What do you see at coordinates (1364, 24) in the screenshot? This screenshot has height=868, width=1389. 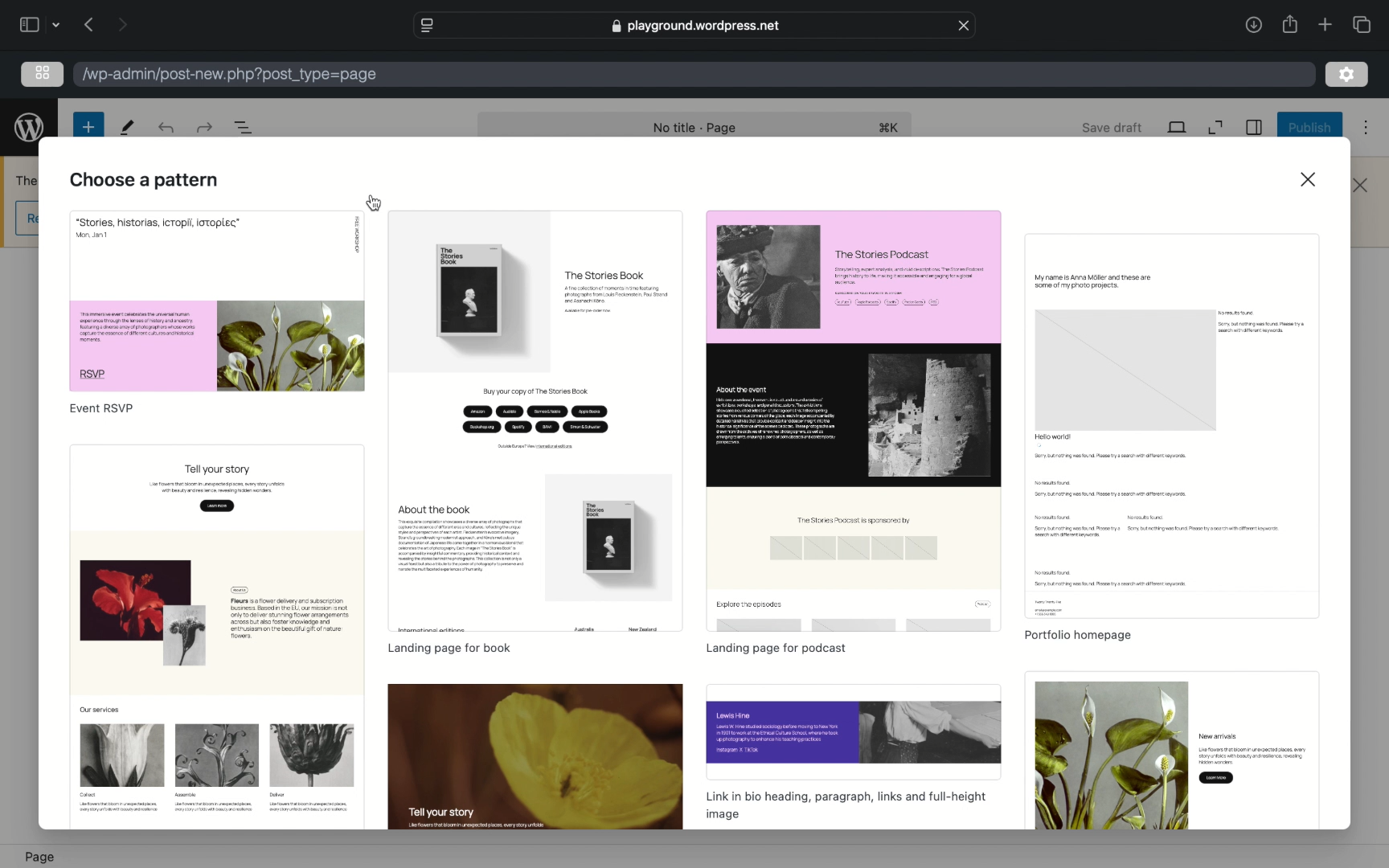 I see `show tab overview` at bounding box center [1364, 24].